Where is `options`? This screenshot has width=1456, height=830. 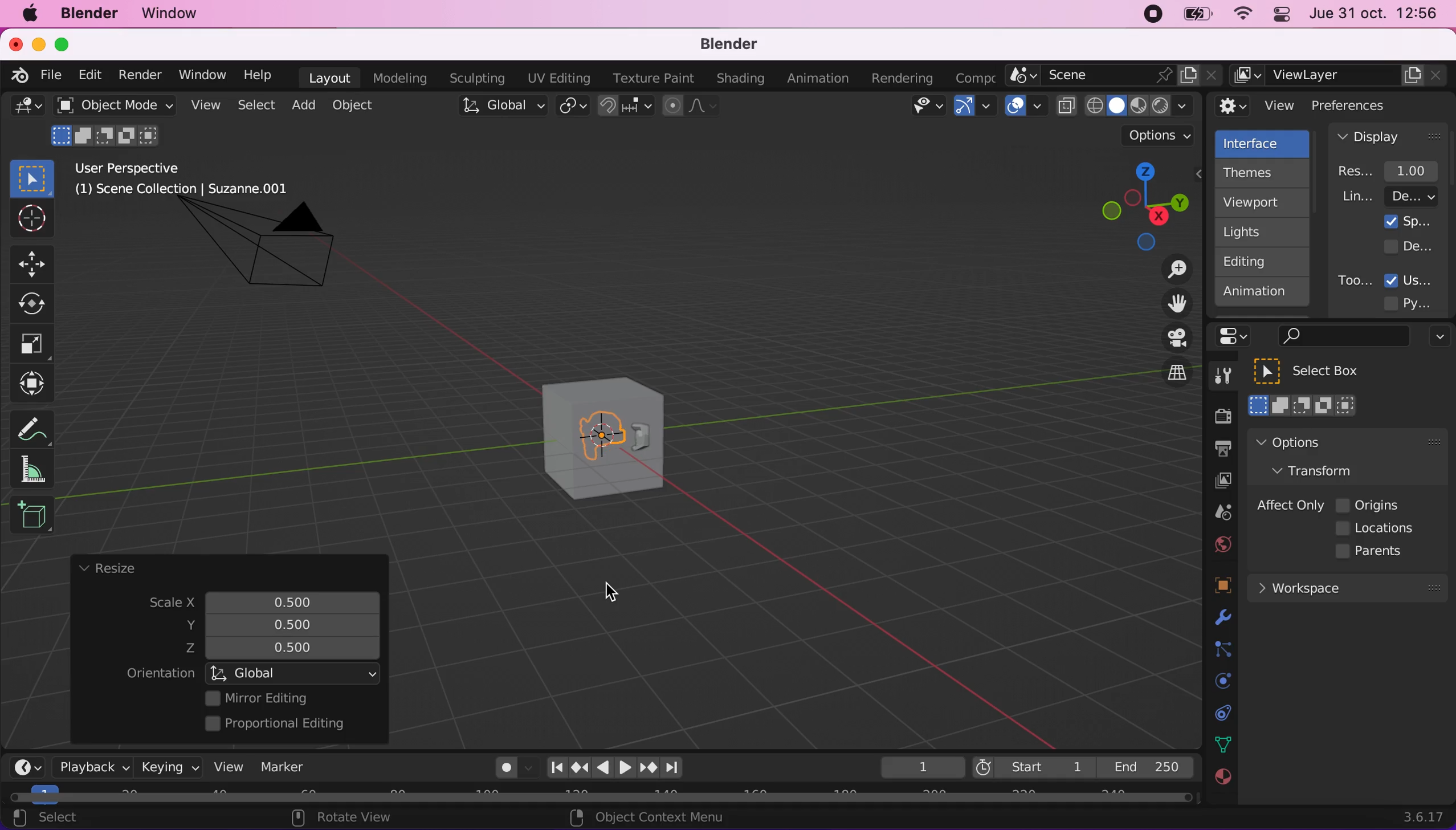
options is located at coordinates (1160, 136).